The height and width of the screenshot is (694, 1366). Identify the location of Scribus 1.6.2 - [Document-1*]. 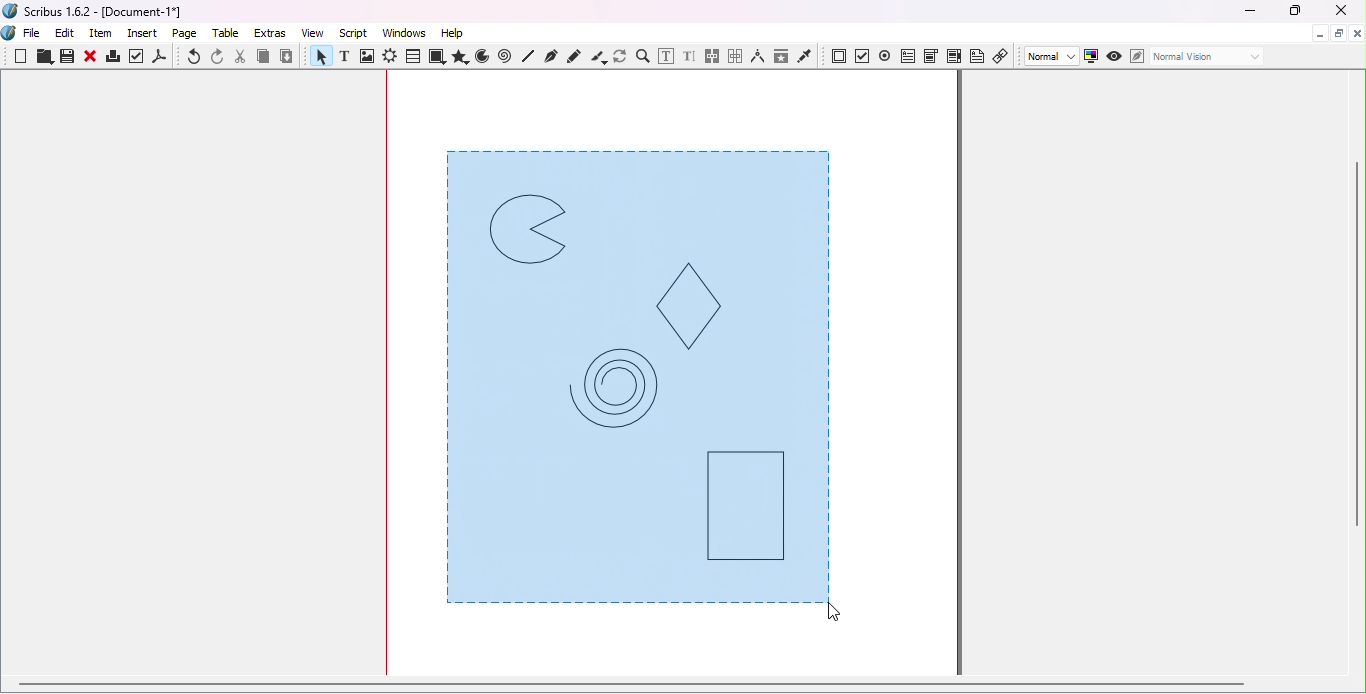
(101, 13).